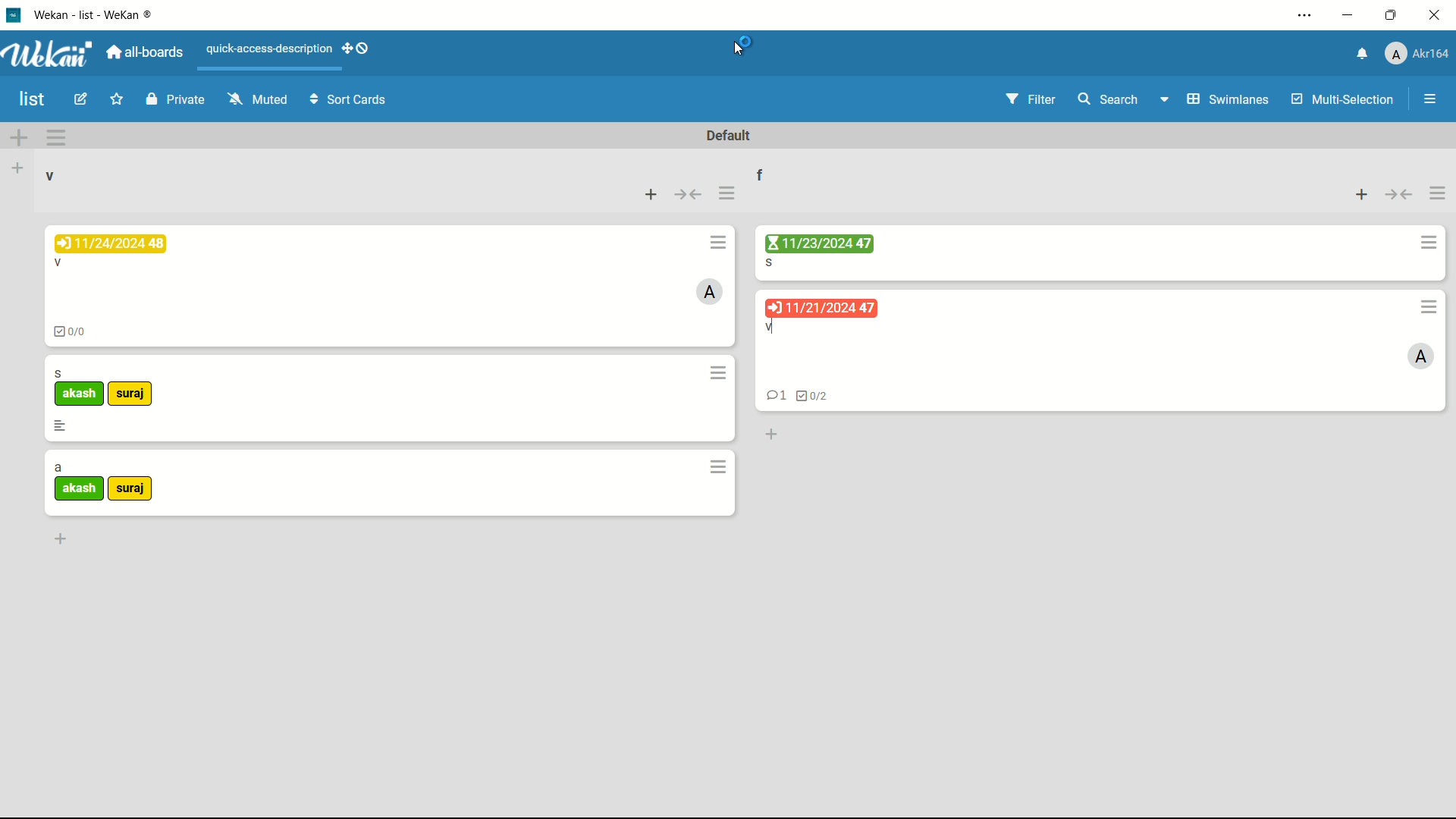 This screenshot has height=819, width=1456. Describe the element at coordinates (711, 291) in the screenshot. I see `admin` at that location.